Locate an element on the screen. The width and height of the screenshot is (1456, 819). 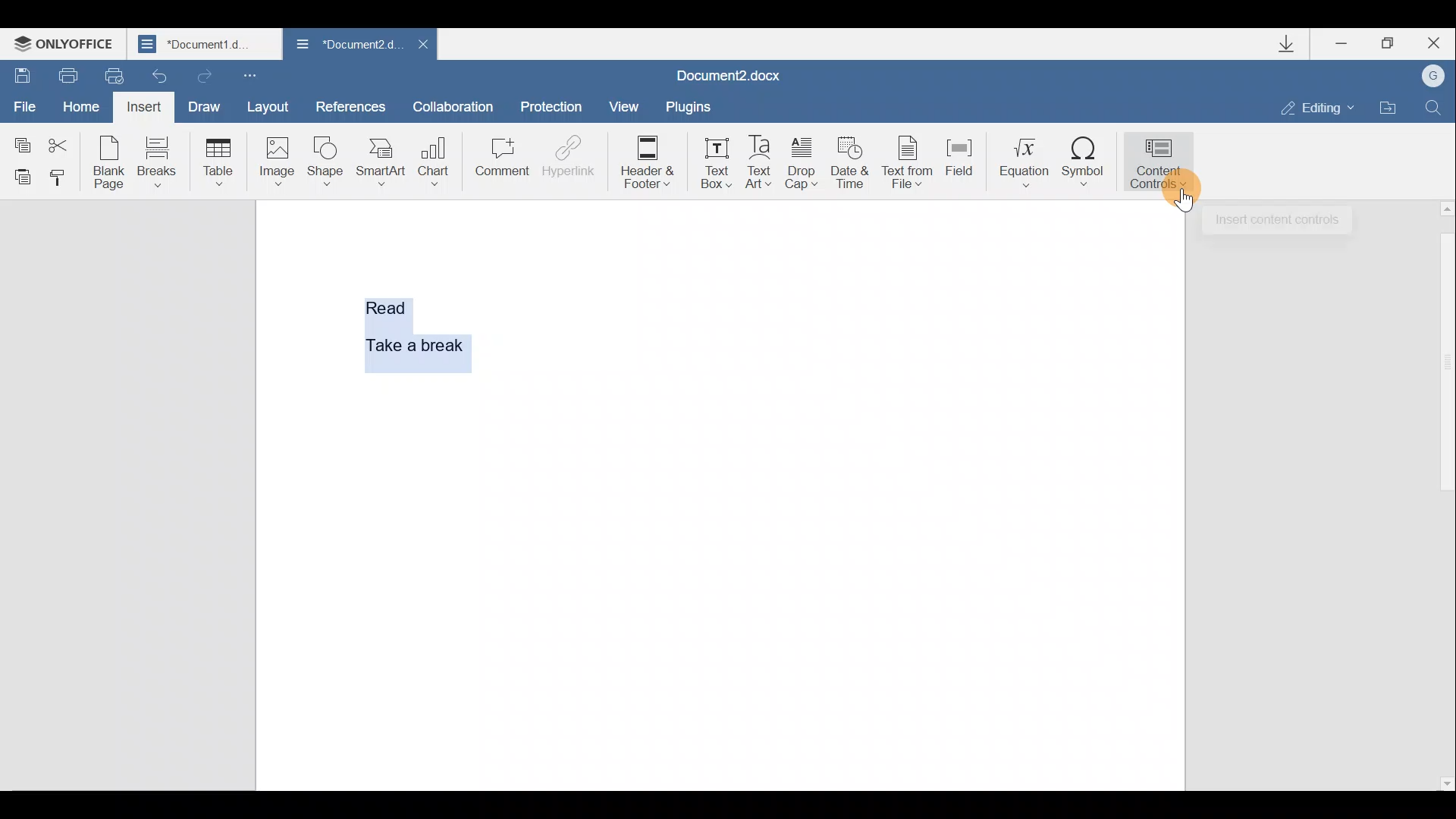
Image is located at coordinates (276, 161).